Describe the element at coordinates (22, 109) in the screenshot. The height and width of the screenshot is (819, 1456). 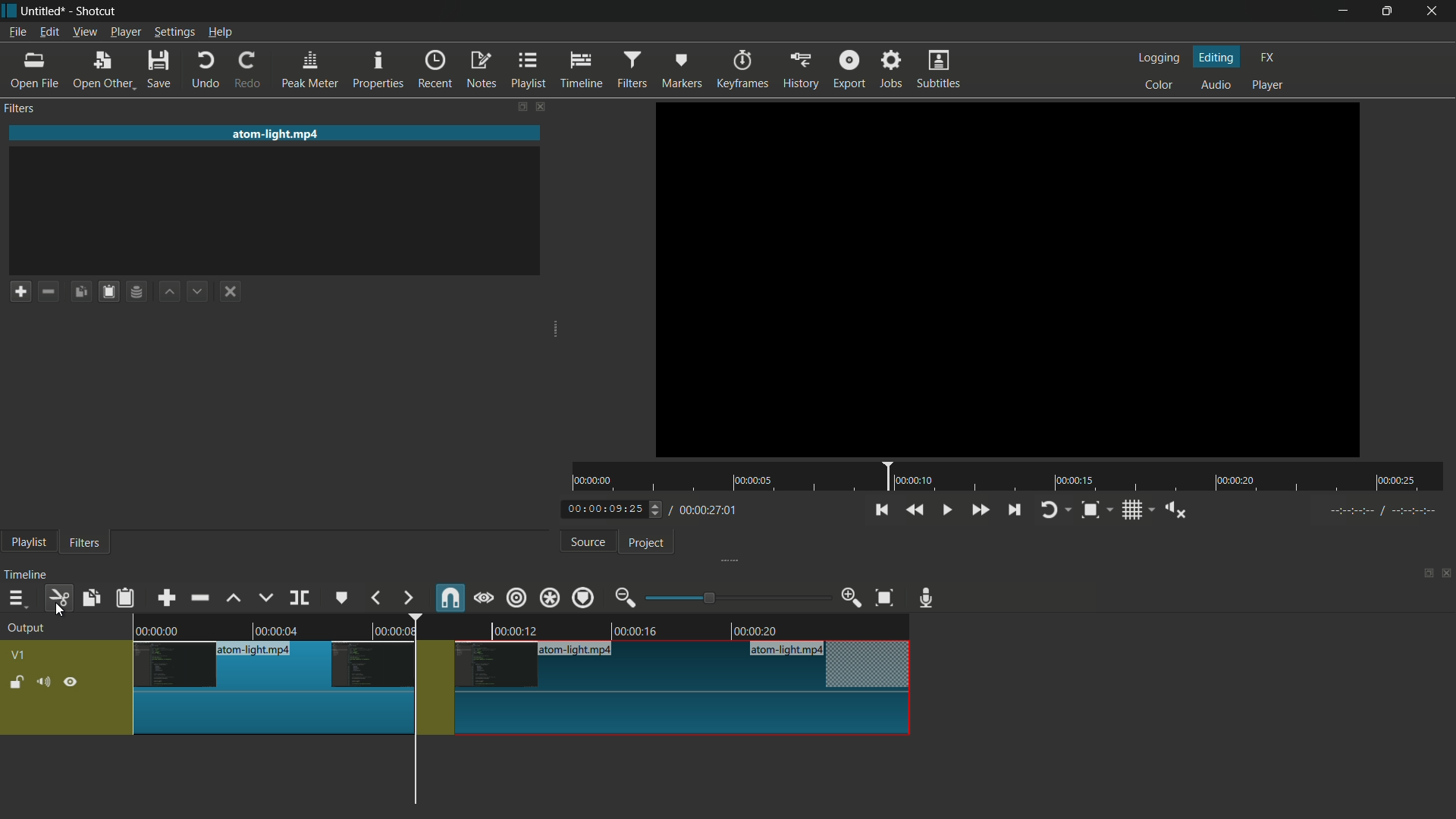
I see `filters` at that location.